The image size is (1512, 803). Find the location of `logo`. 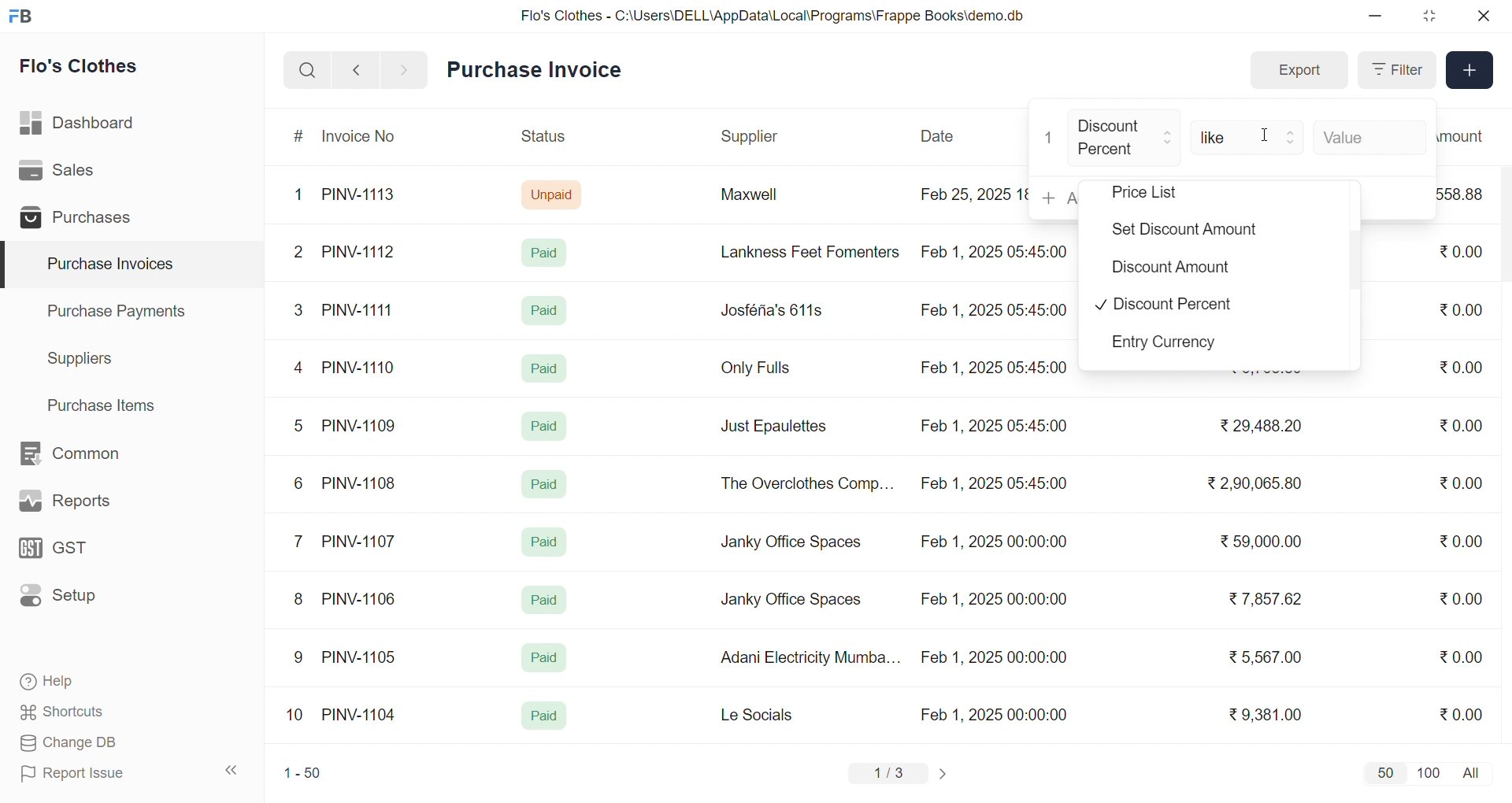

logo is located at coordinates (24, 17).